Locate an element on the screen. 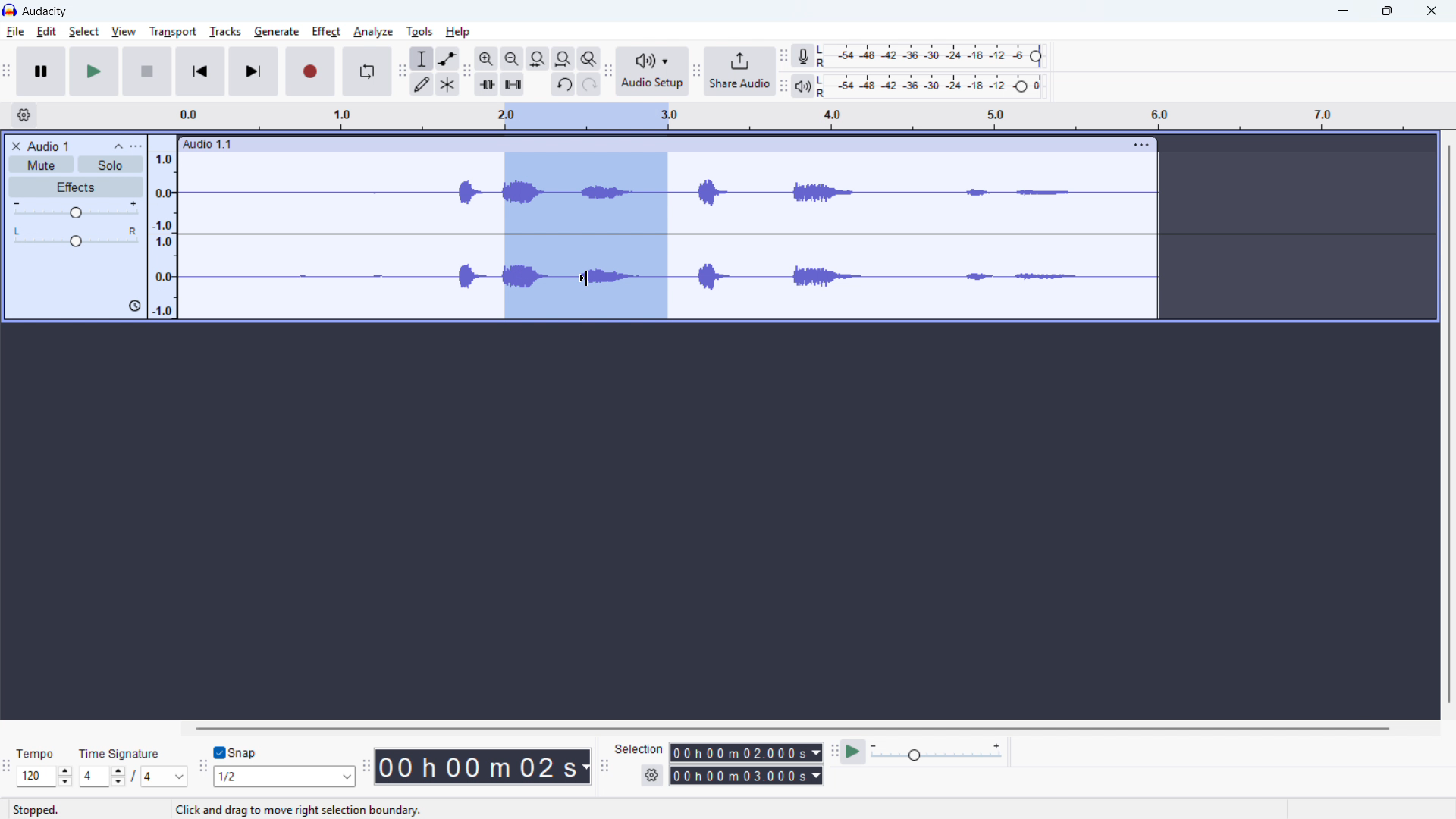 This screenshot has height=819, width=1456. Trap control panel menu is located at coordinates (136, 146).